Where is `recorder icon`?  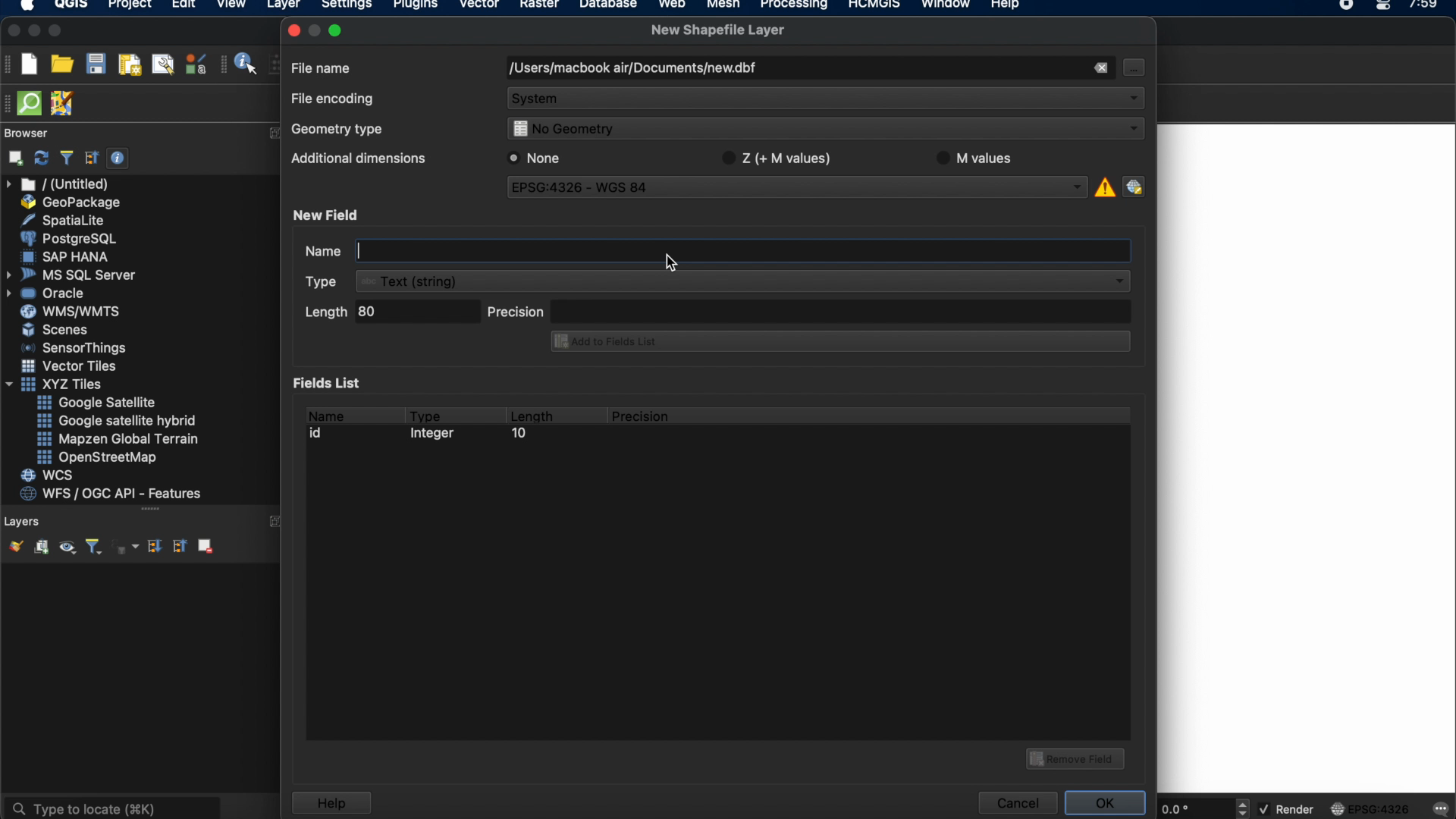 recorder icon is located at coordinates (1348, 6).